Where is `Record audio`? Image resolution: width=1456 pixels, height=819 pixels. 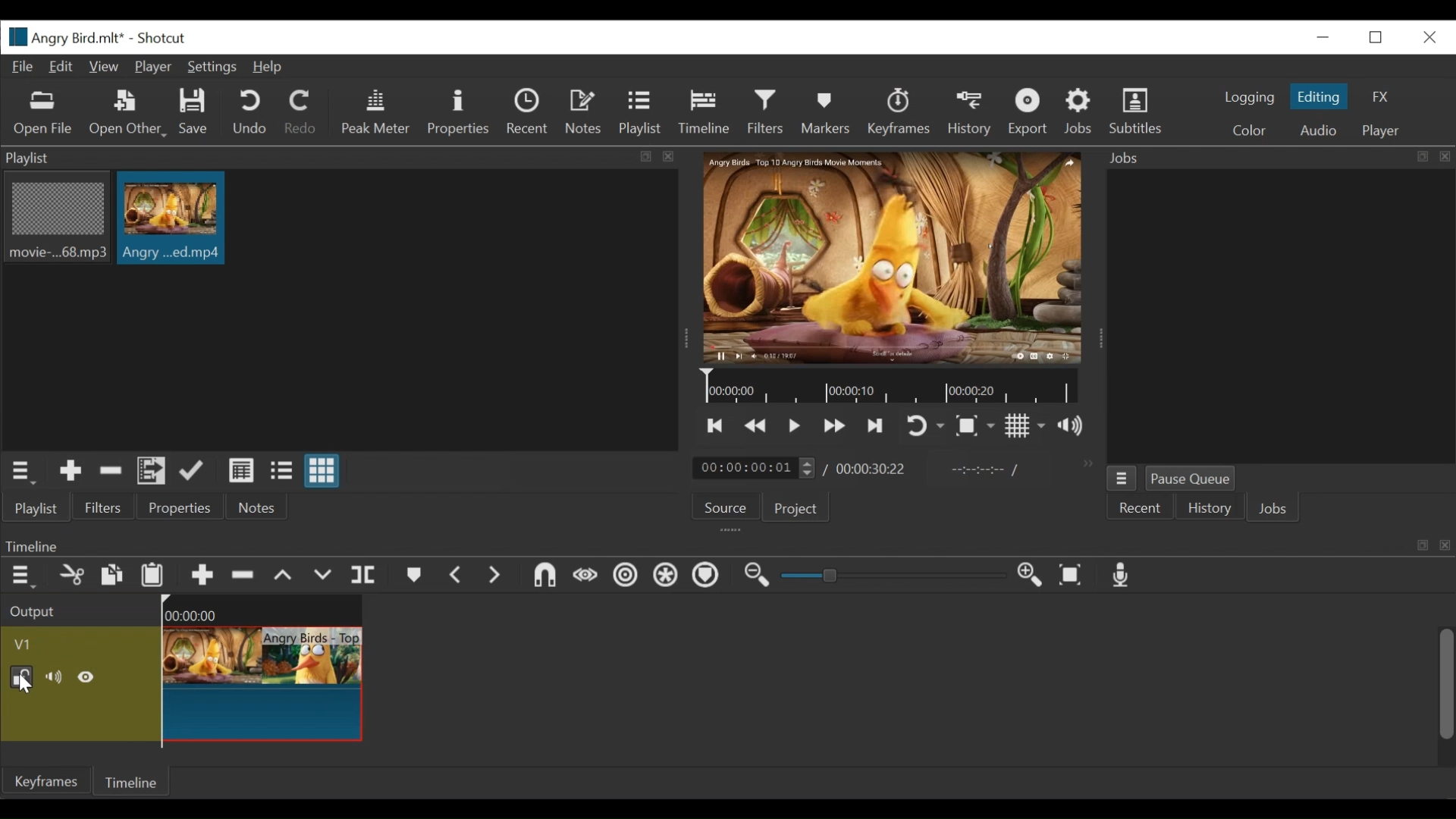 Record audio is located at coordinates (1123, 576).